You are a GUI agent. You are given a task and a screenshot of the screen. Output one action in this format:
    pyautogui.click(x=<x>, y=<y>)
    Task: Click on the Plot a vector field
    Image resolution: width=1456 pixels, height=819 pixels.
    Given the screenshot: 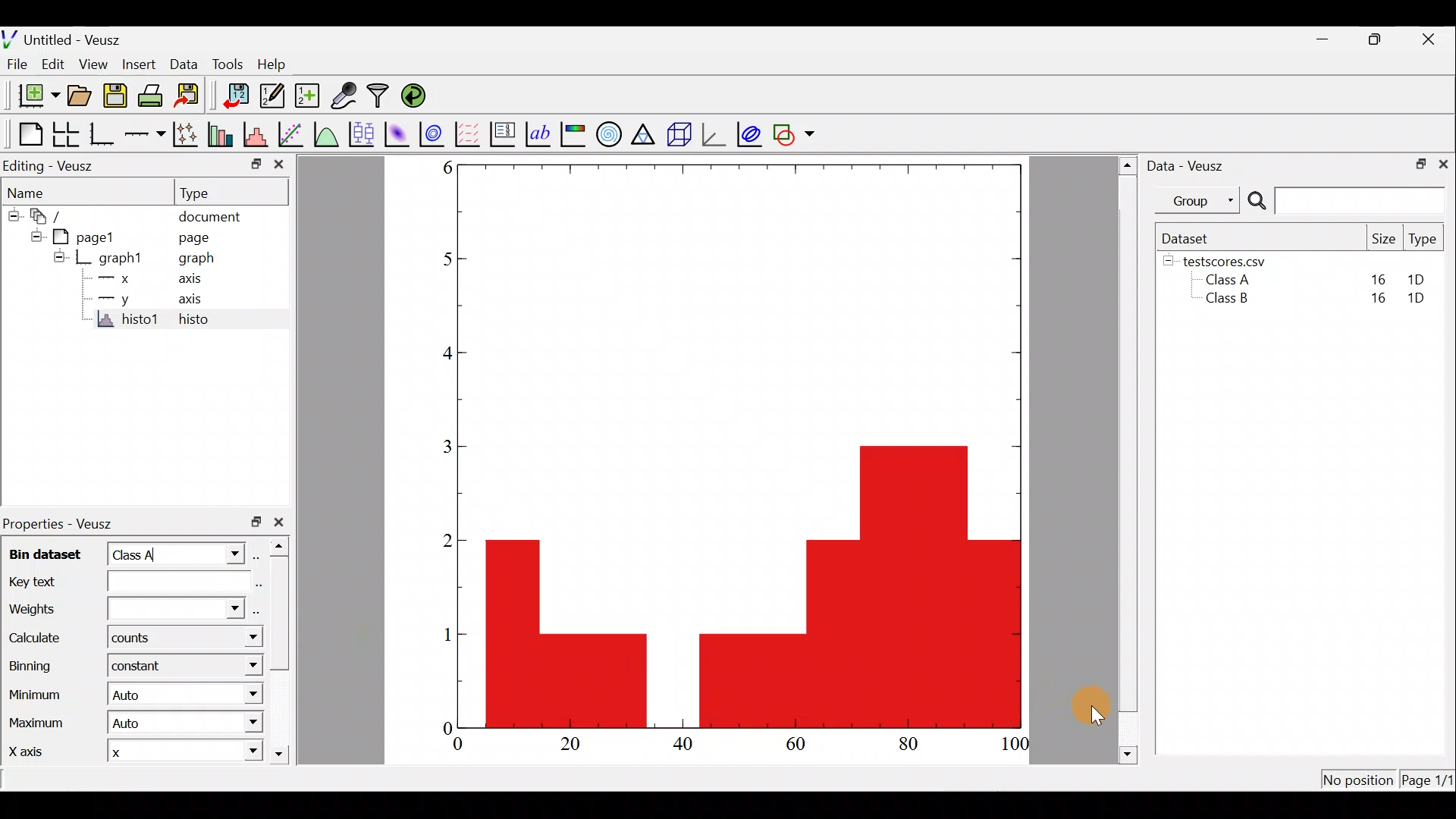 What is the action you would take?
    pyautogui.click(x=470, y=133)
    